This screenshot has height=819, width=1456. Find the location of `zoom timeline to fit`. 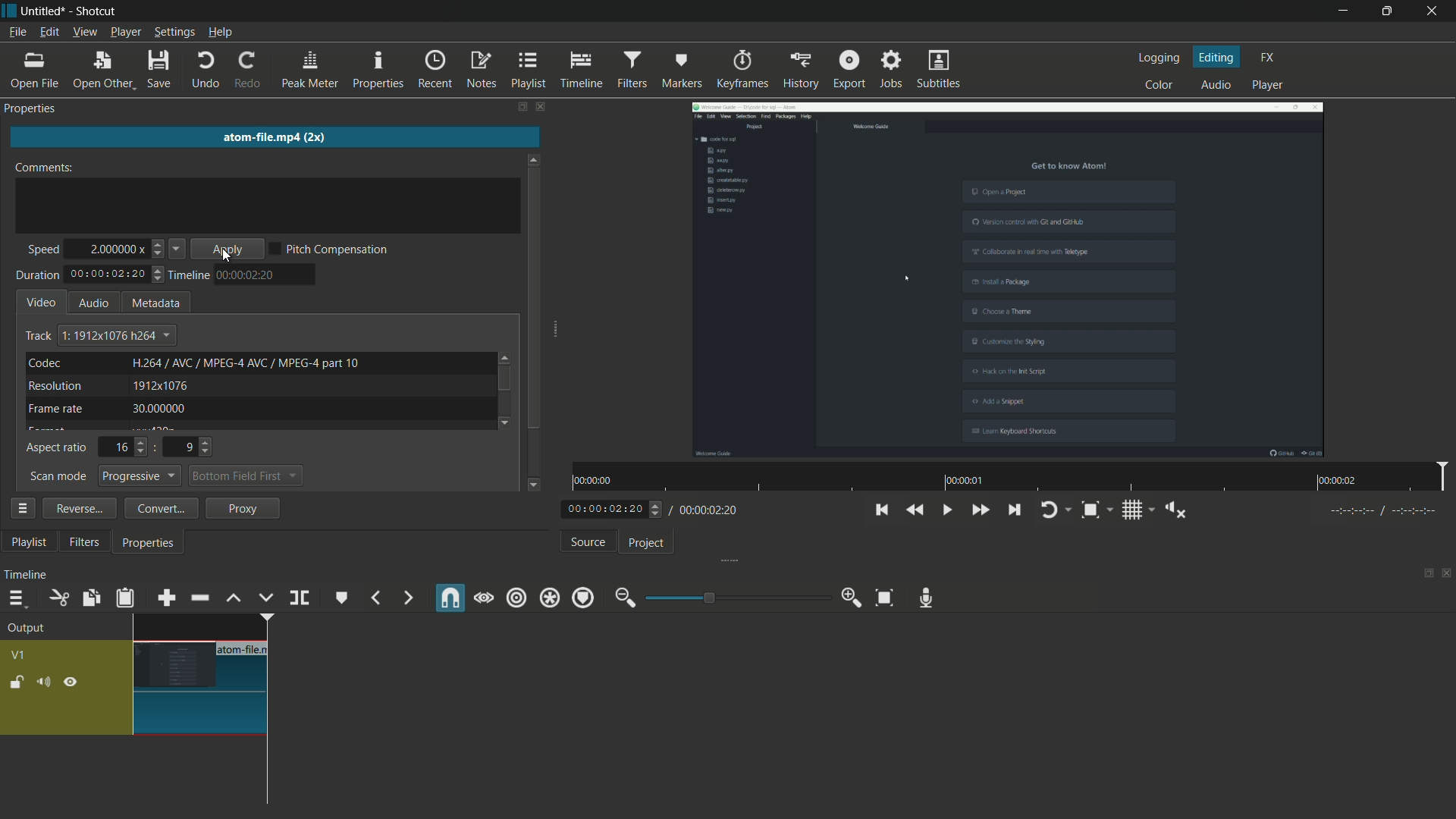

zoom timeline to fit is located at coordinates (885, 598).